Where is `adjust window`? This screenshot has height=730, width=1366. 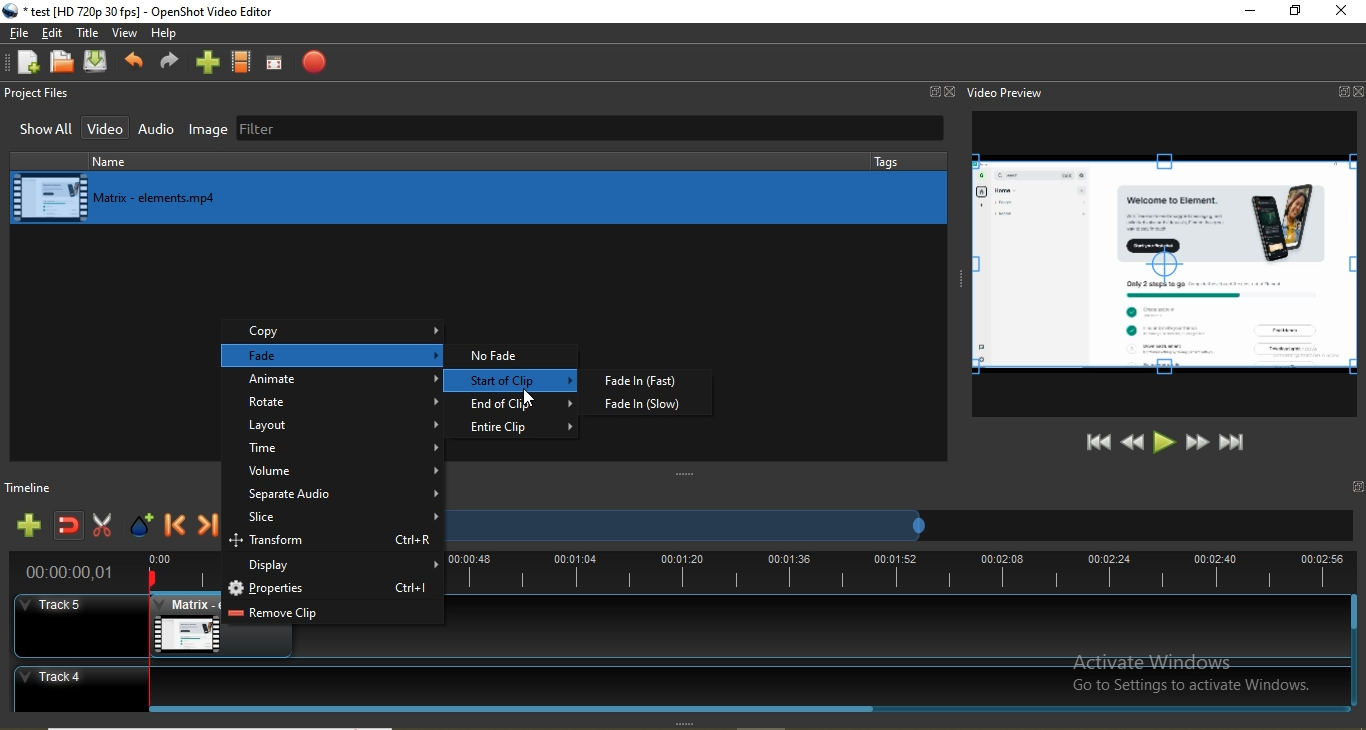
adjust window is located at coordinates (955, 276).